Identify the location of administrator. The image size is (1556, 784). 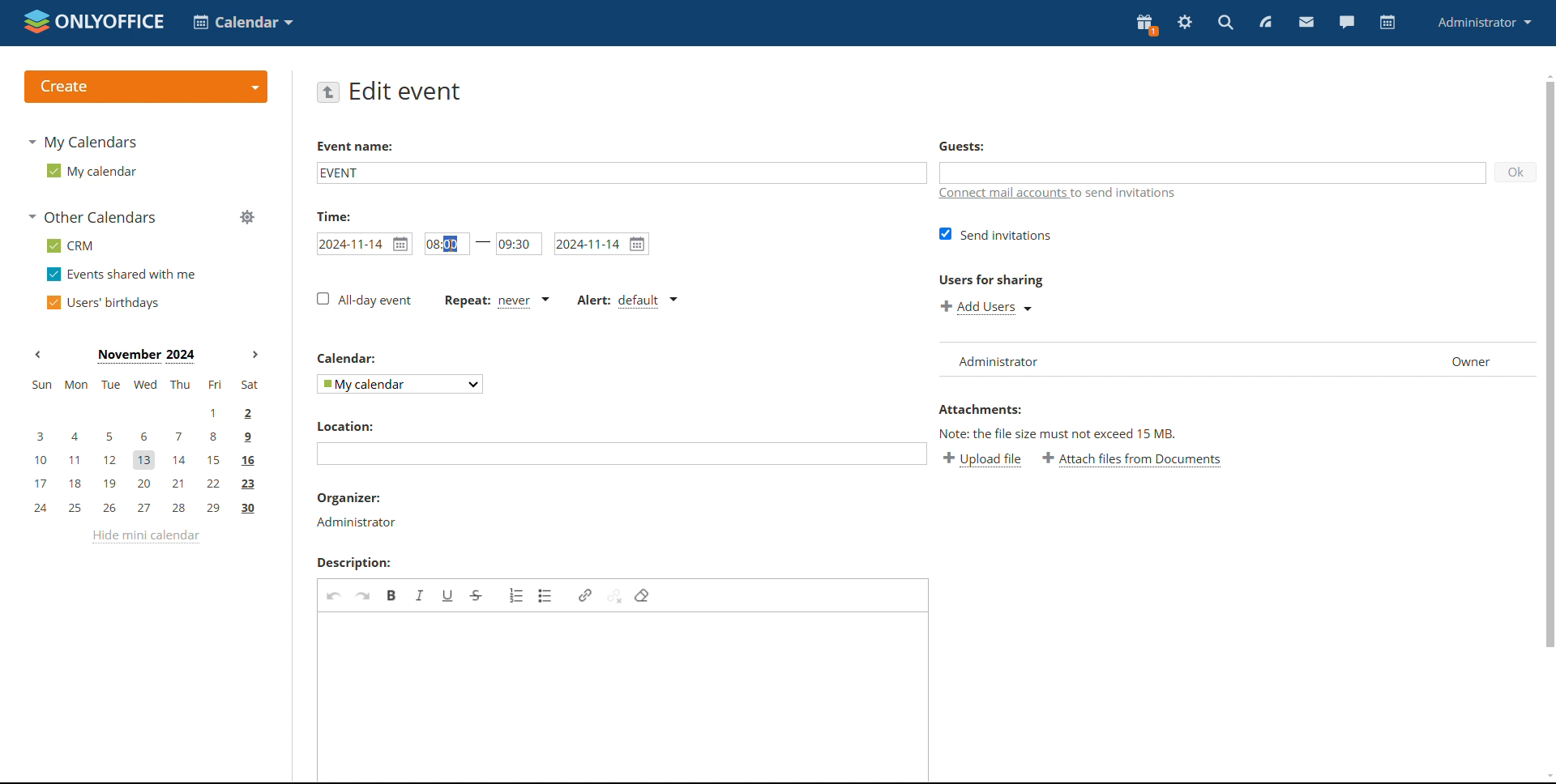
(1486, 23).